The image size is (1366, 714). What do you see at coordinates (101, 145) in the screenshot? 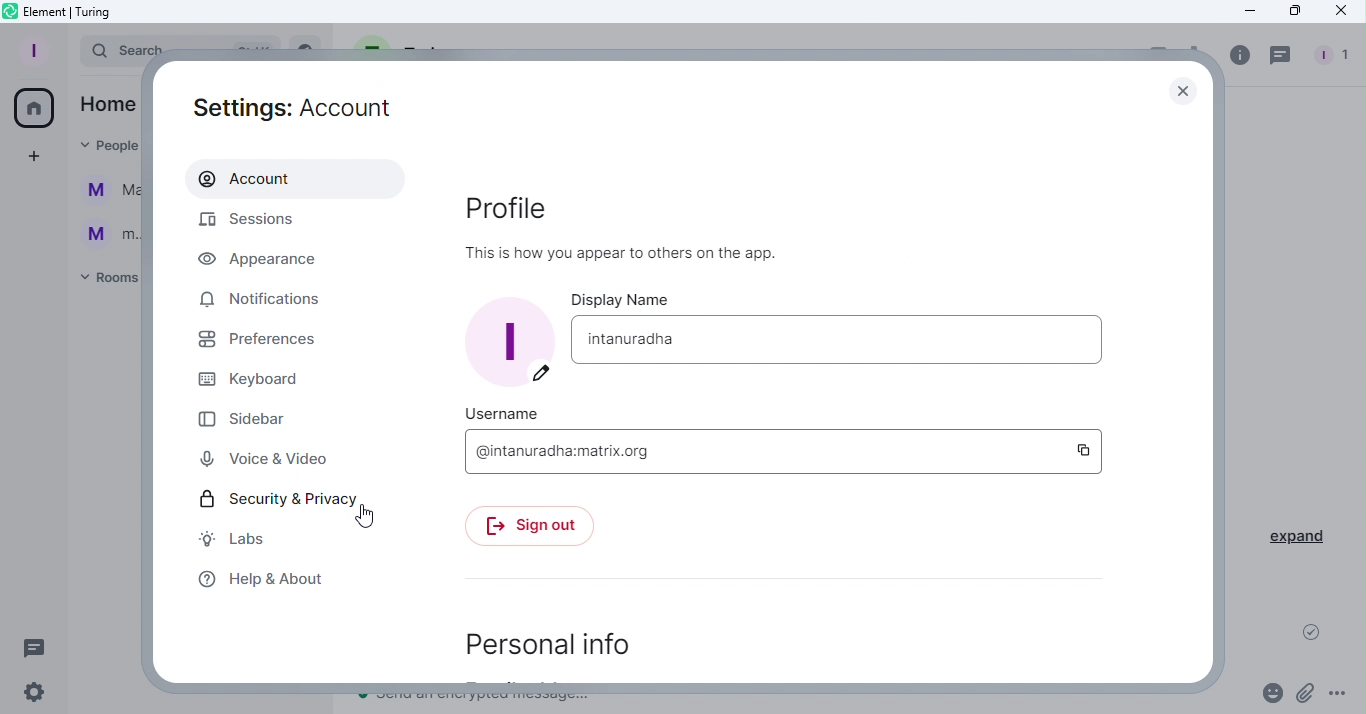
I see `People` at bounding box center [101, 145].